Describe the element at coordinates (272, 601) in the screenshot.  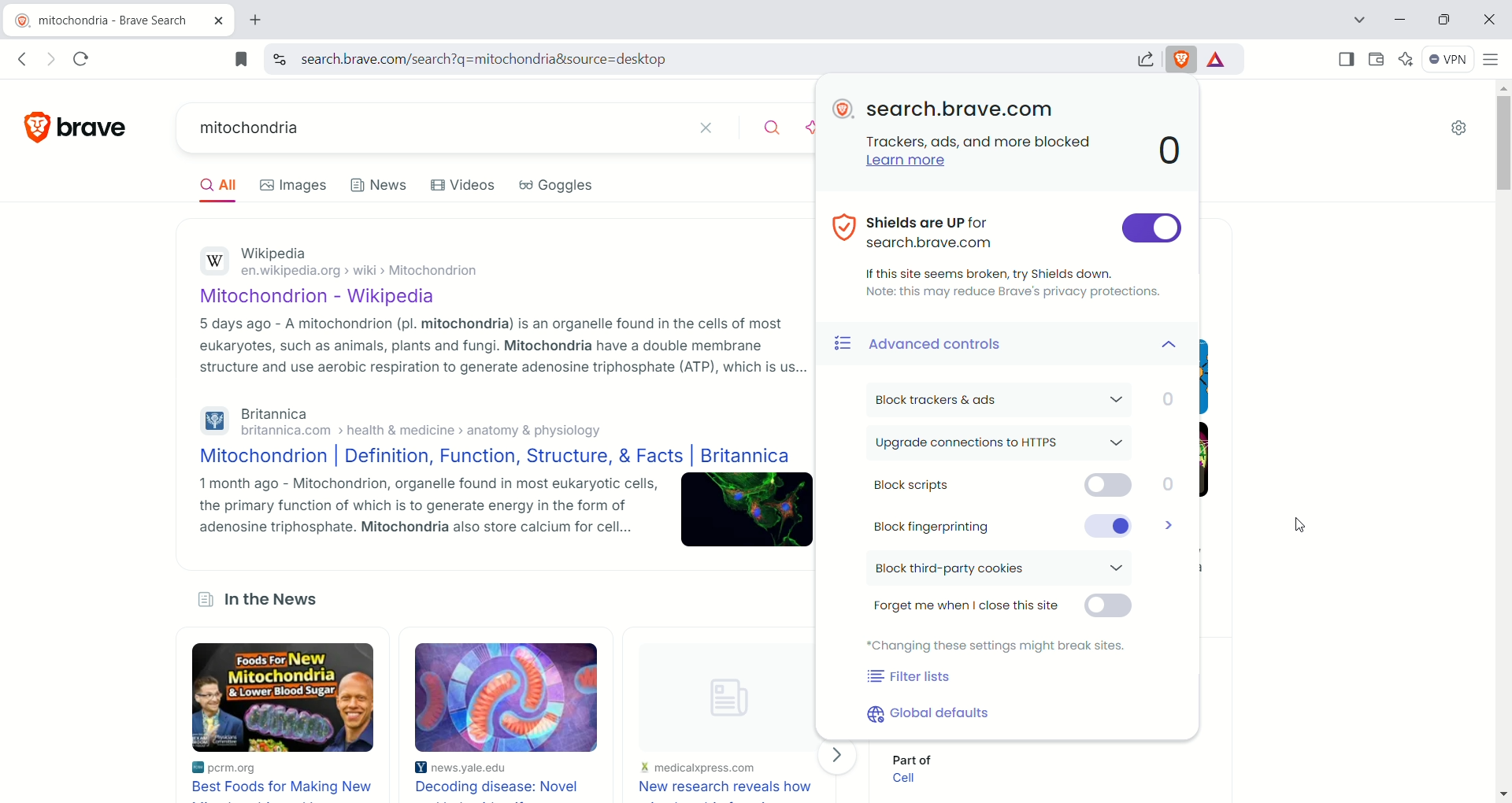
I see `In the News` at that location.